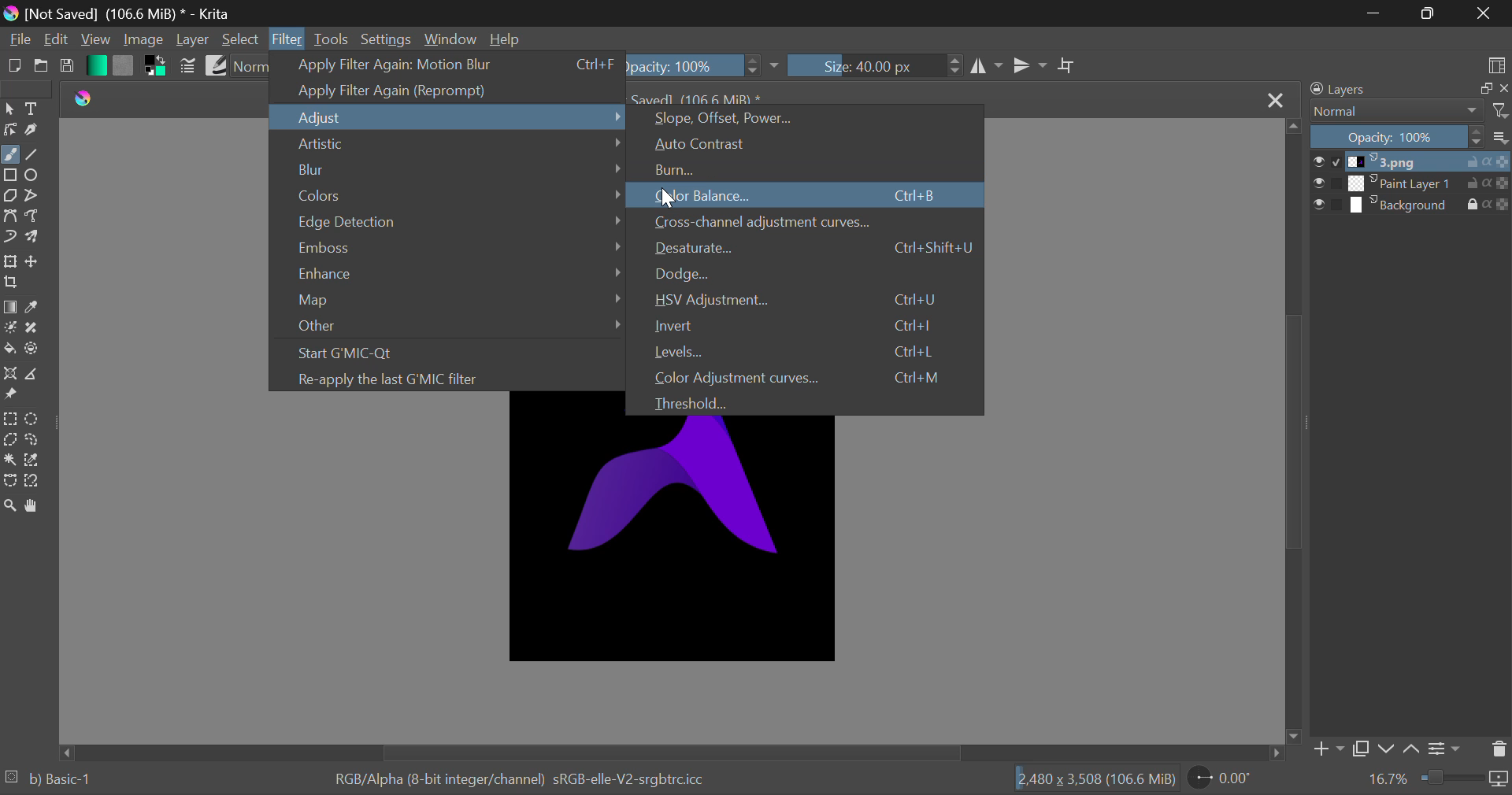 This screenshot has width=1512, height=795. Describe the element at coordinates (462, 270) in the screenshot. I see `Enhance` at that location.